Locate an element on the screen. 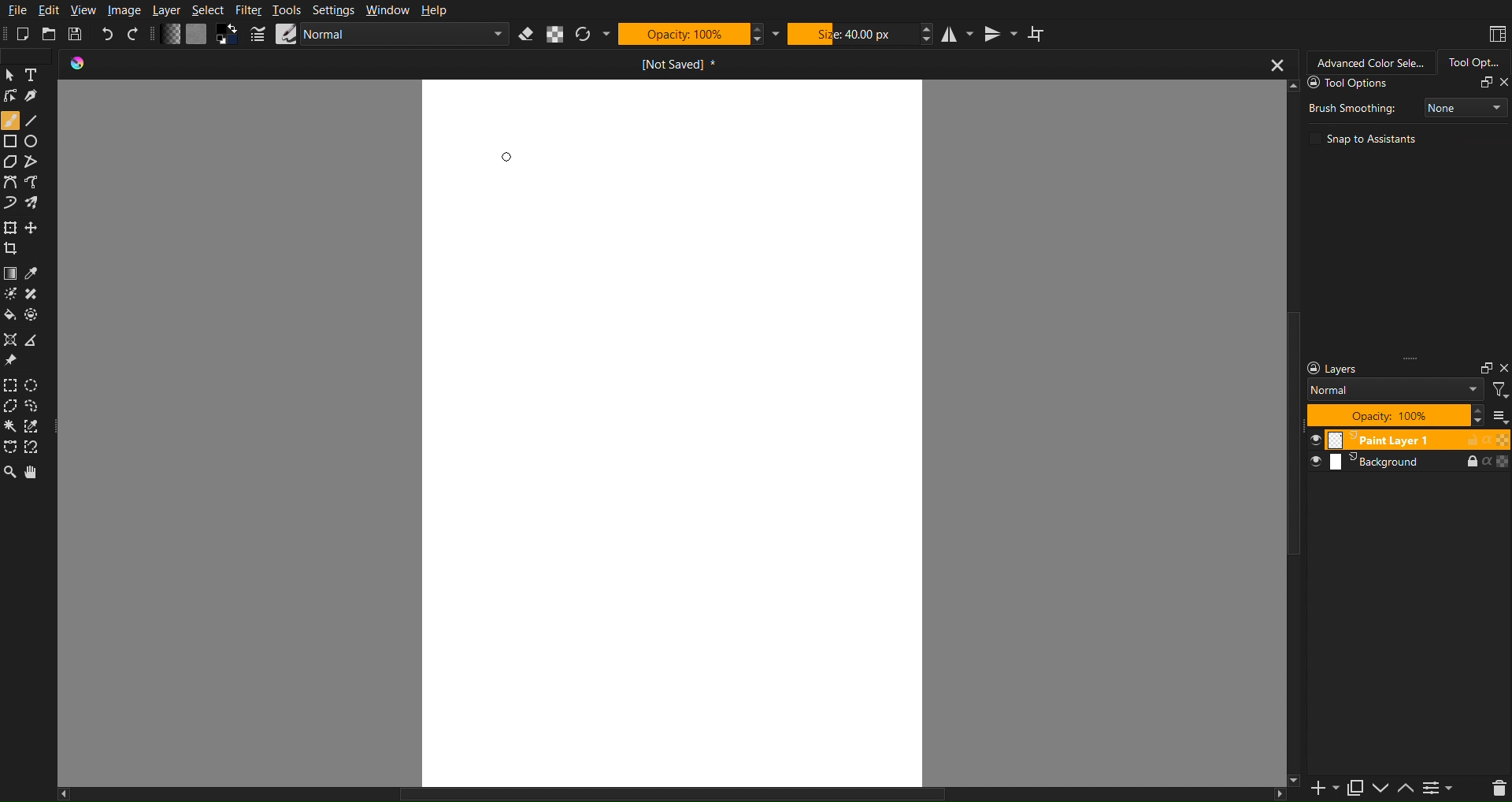  Blemish Fix is located at coordinates (38, 293).